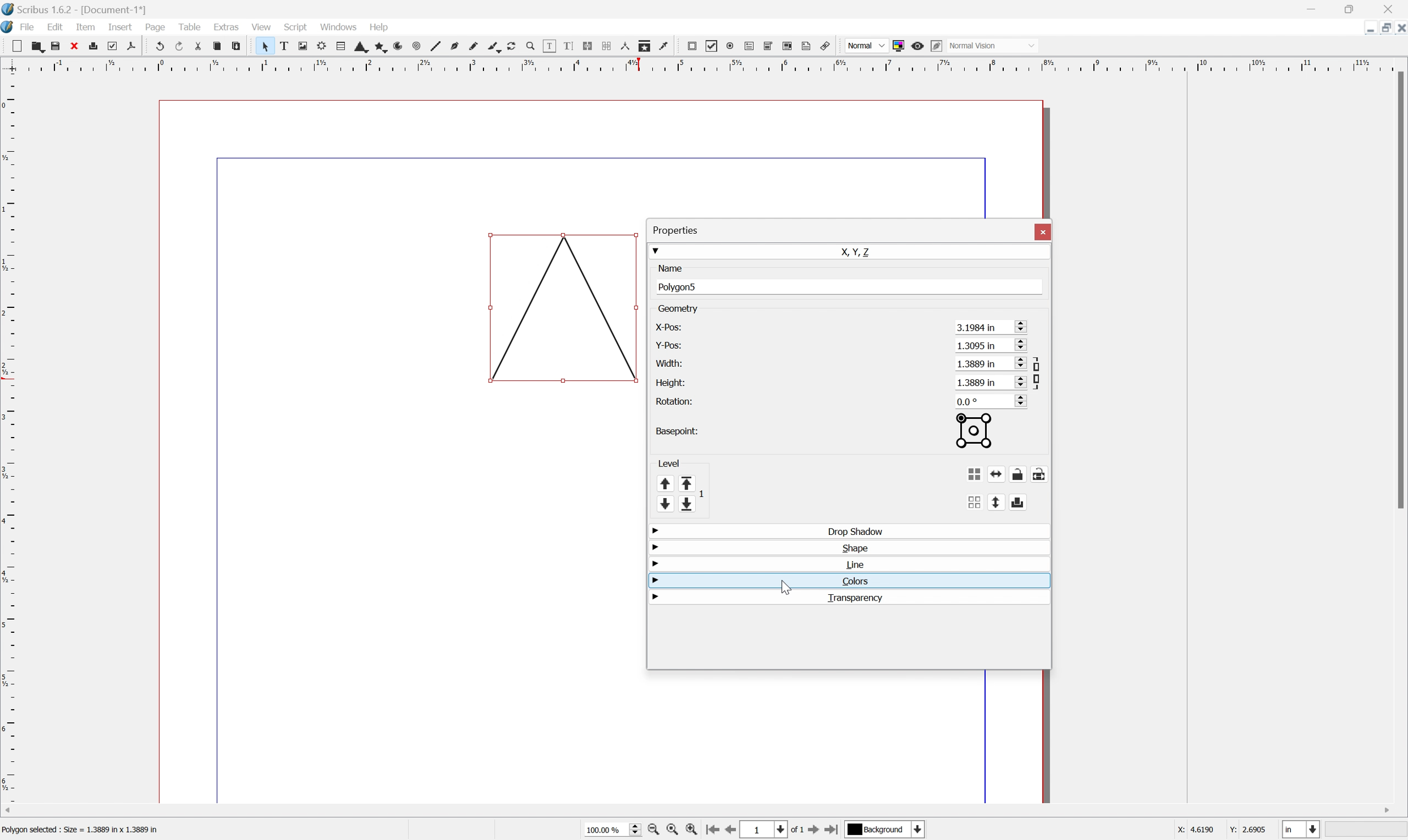  Describe the element at coordinates (691, 830) in the screenshot. I see `Zoom in by stepping values in Tools preferences` at that location.